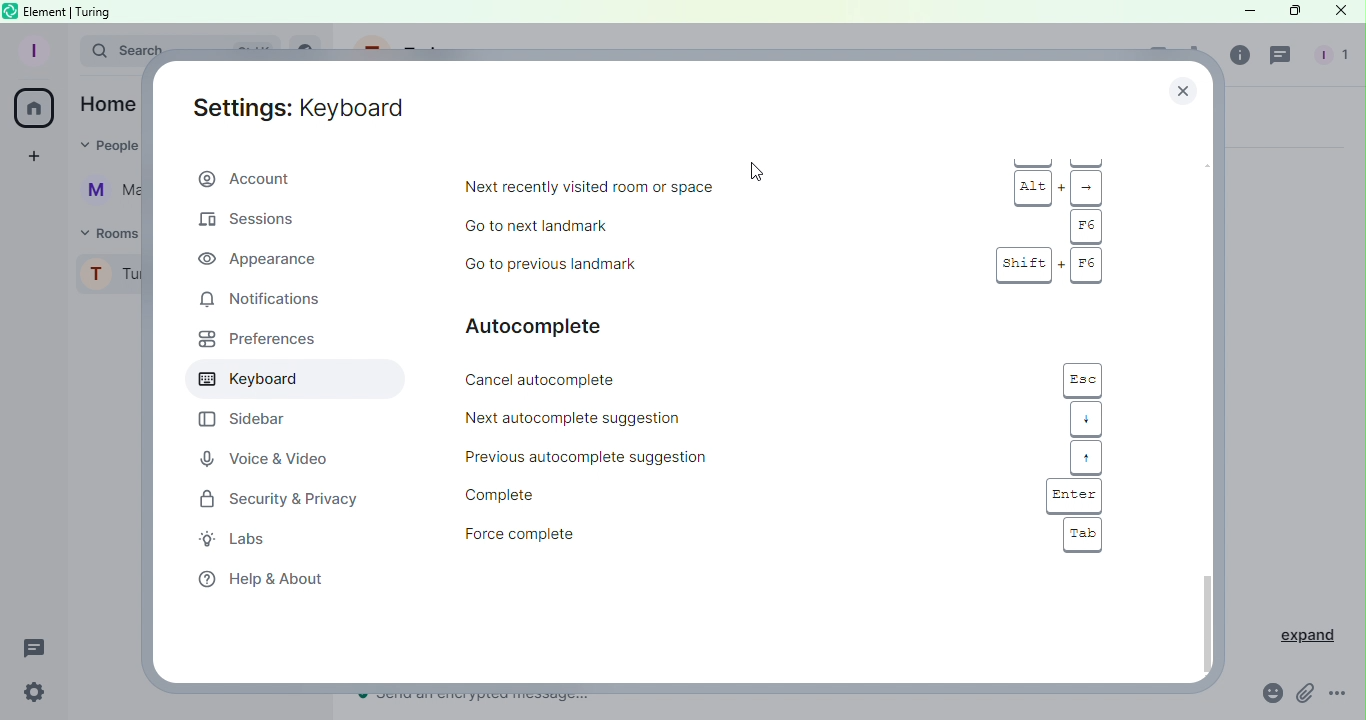 The height and width of the screenshot is (720, 1366). I want to click on Expand, so click(1299, 635).